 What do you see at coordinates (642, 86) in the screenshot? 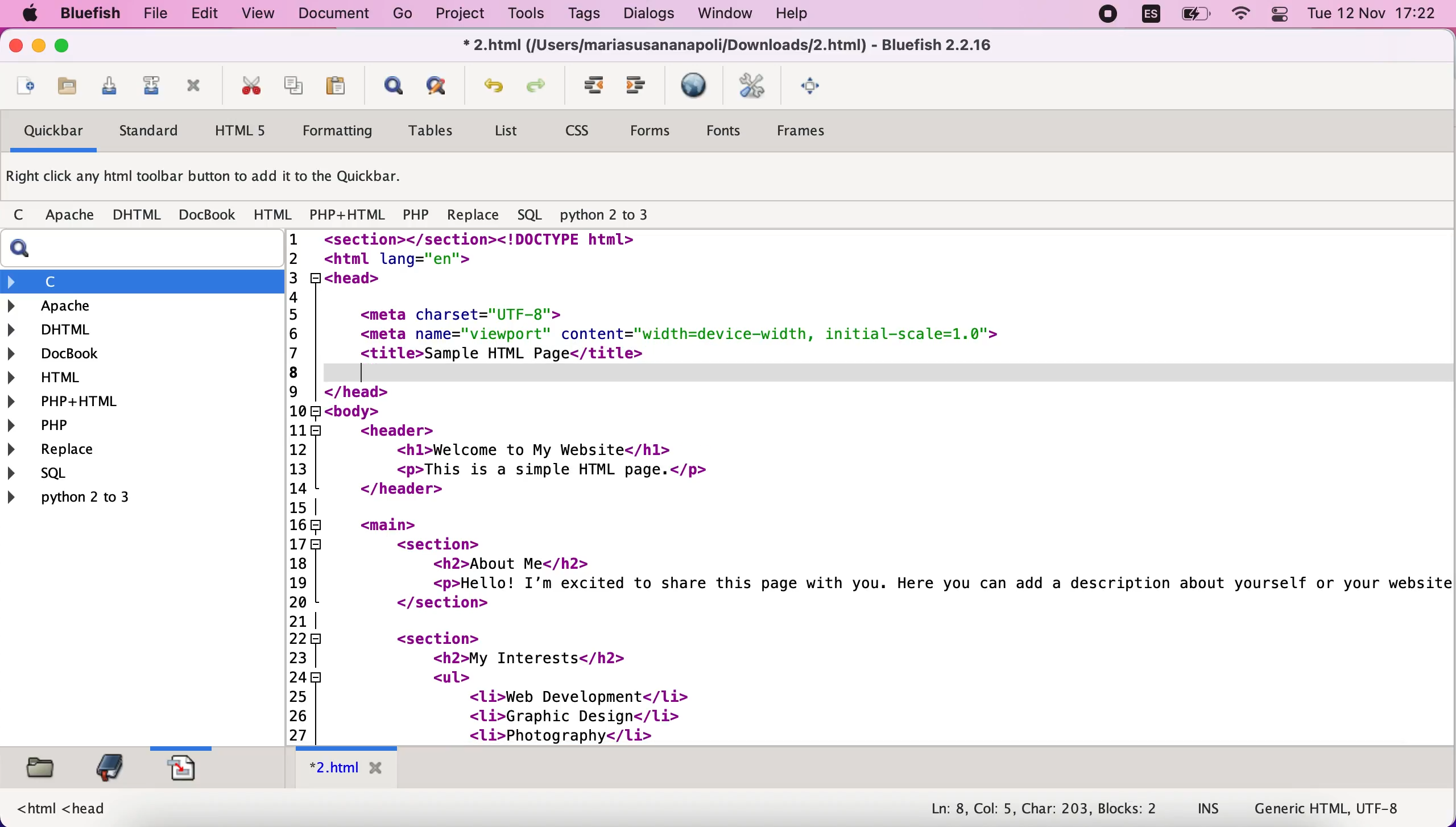
I see `unindent` at bounding box center [642, 86].